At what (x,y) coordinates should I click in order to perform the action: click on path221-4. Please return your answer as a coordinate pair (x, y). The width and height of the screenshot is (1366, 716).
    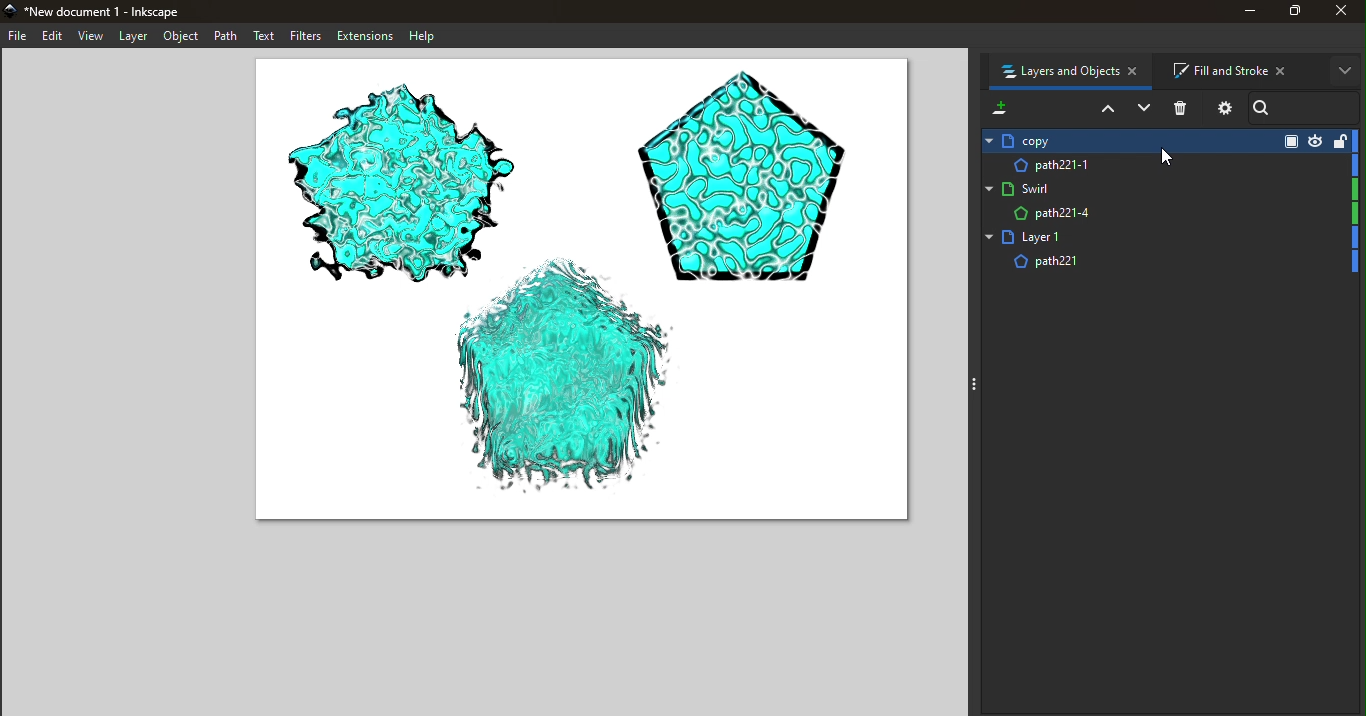
    Looking at the image, I should click on (1170, 214).